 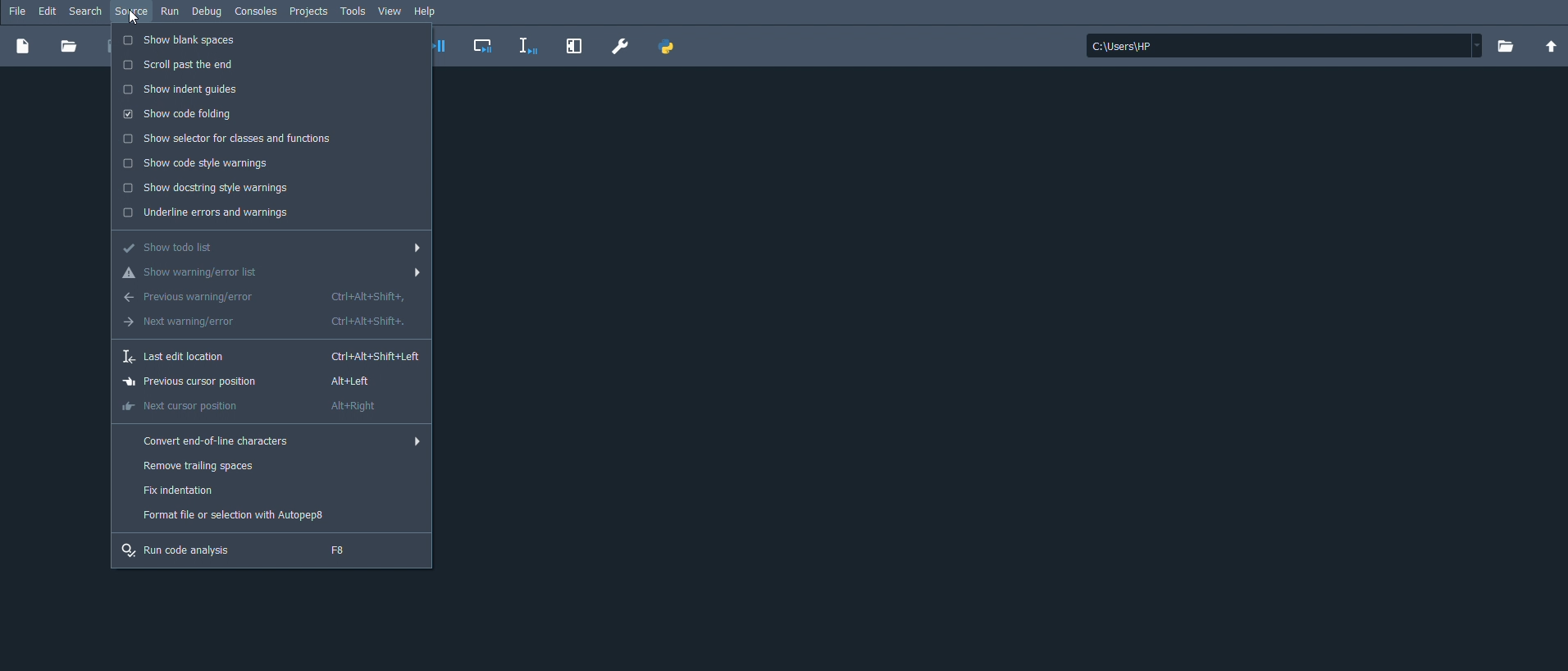 What do you see at coordinates (89, 11) in the screenshot?
I see `Search` at bounding box center [89, 11].